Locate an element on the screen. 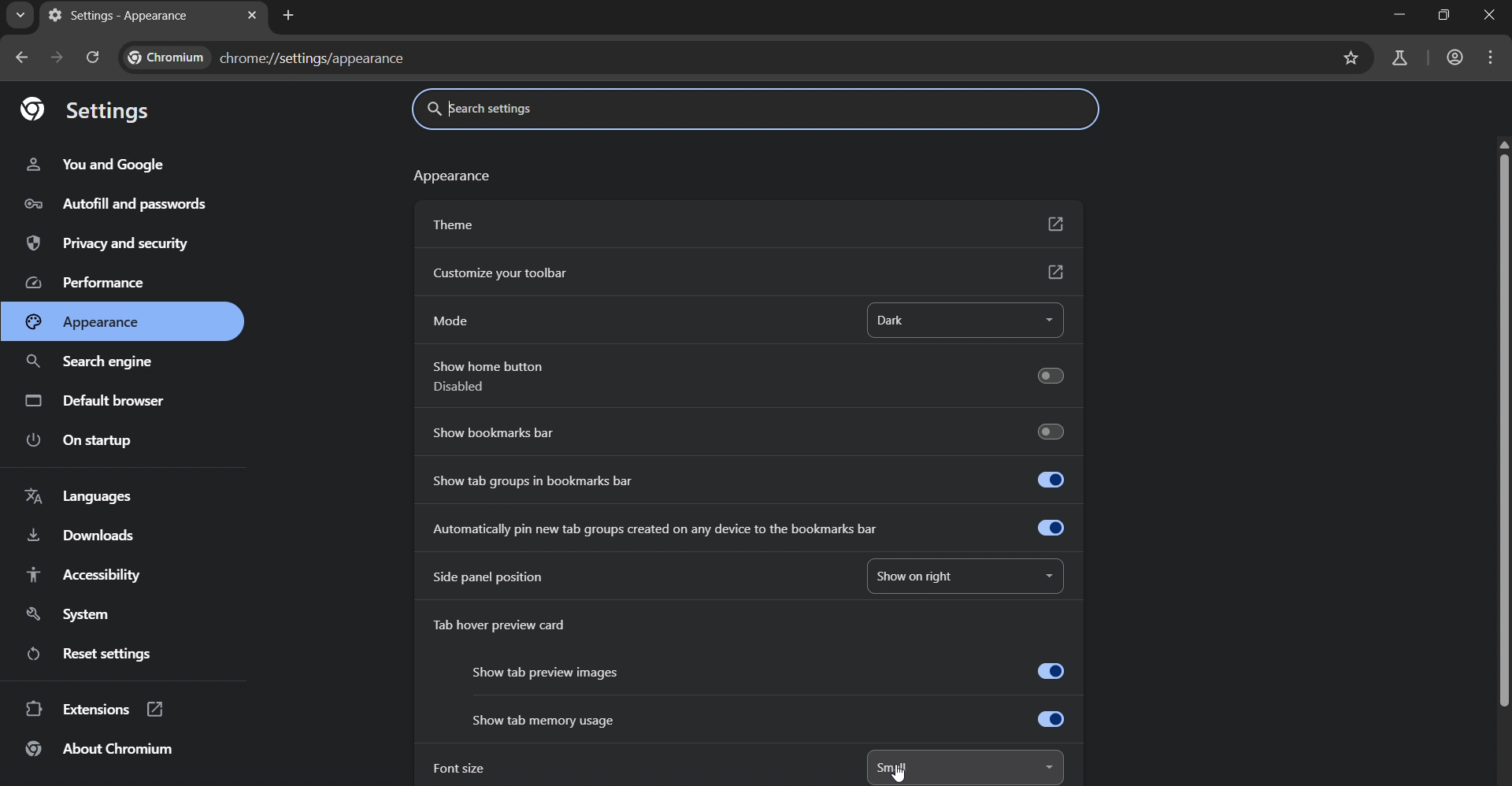 The image size is (1512, 786). font size is located at coordinates (458, 769).